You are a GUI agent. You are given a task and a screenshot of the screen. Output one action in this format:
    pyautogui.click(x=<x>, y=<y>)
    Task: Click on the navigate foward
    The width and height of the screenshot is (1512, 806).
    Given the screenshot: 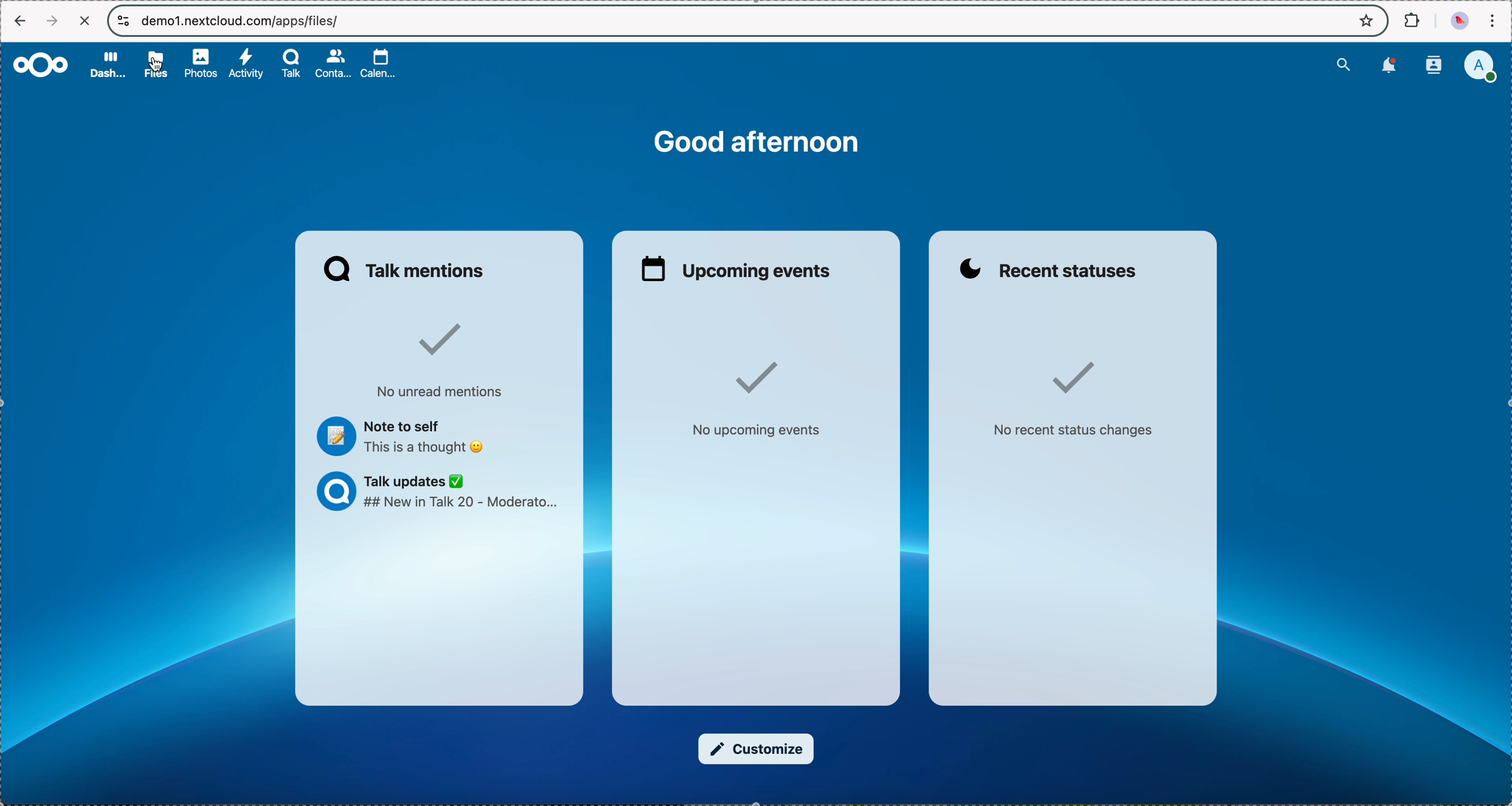 What is the action you would take?
    pyautogui.click(x=49, y=22)
    